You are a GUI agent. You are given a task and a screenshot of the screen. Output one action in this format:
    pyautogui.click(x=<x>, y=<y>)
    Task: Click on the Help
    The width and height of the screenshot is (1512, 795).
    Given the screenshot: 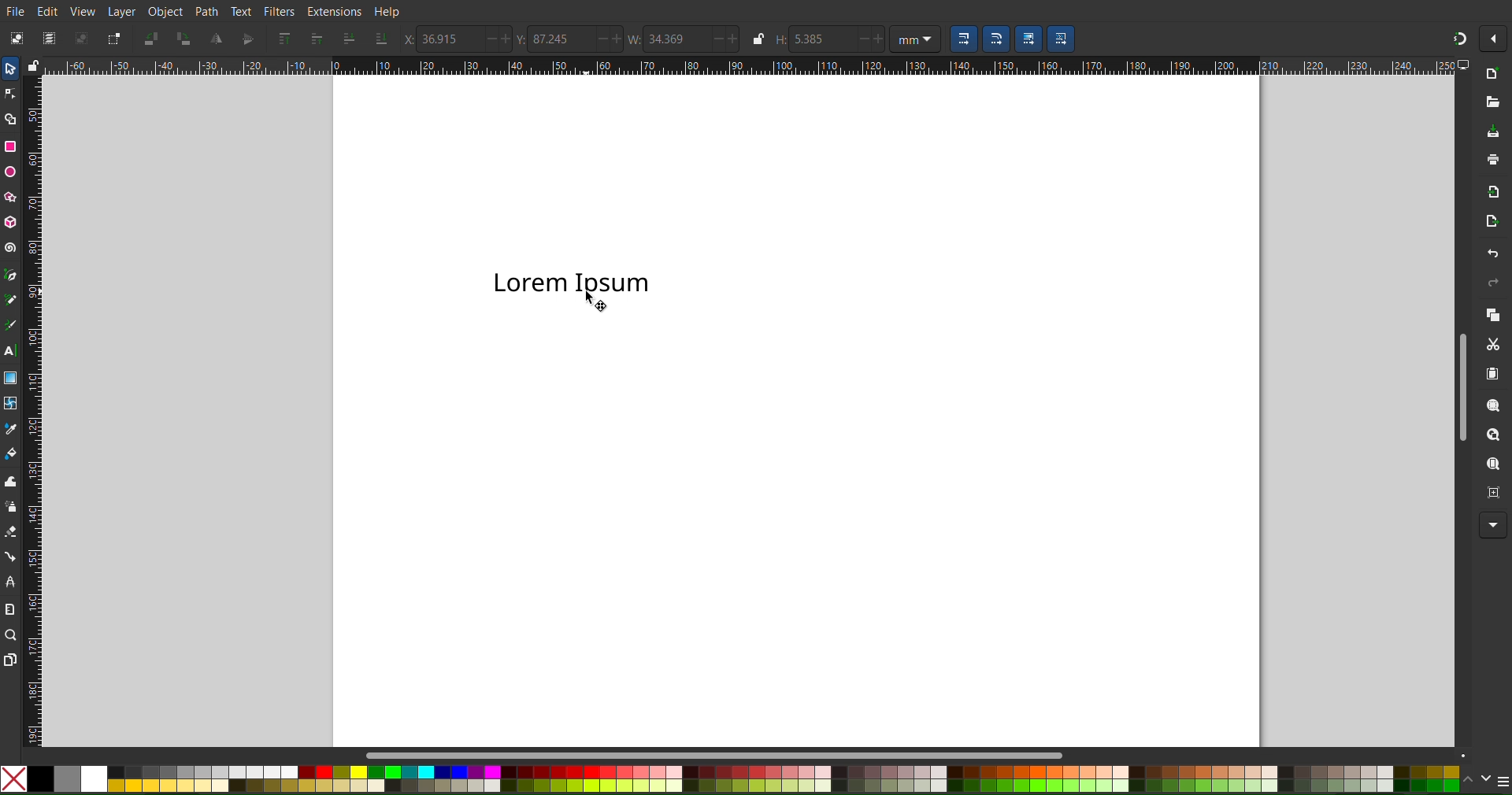 What is the action you would take?
    pyautogui.click(x=387, y=11)
    